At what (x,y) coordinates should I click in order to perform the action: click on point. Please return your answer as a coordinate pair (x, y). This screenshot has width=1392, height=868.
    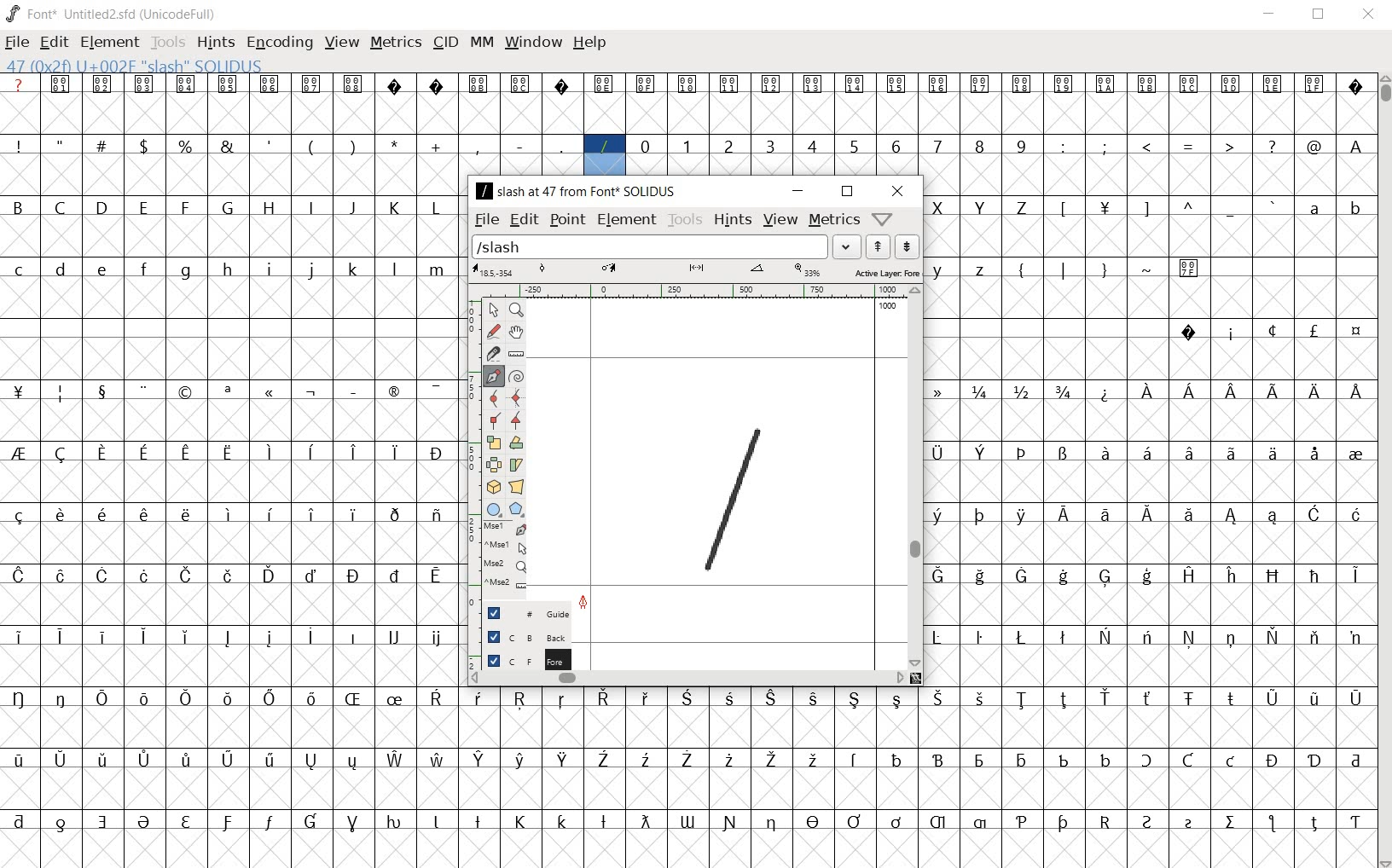
    Looking at the image, I should click on (565, 219).